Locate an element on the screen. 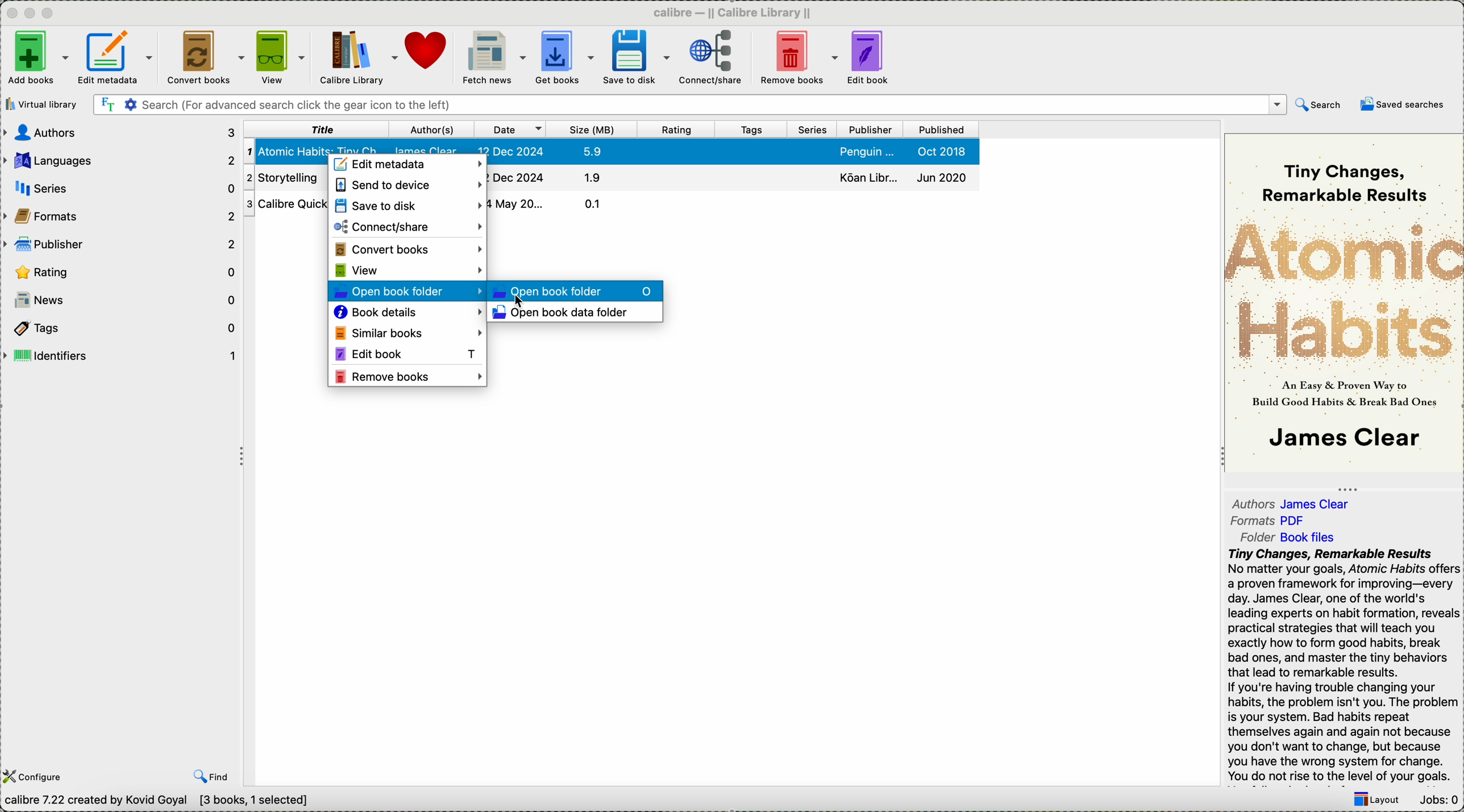 The width and height of the screenshot is (1464, 812). send to device is located at coordinates (406, 185).